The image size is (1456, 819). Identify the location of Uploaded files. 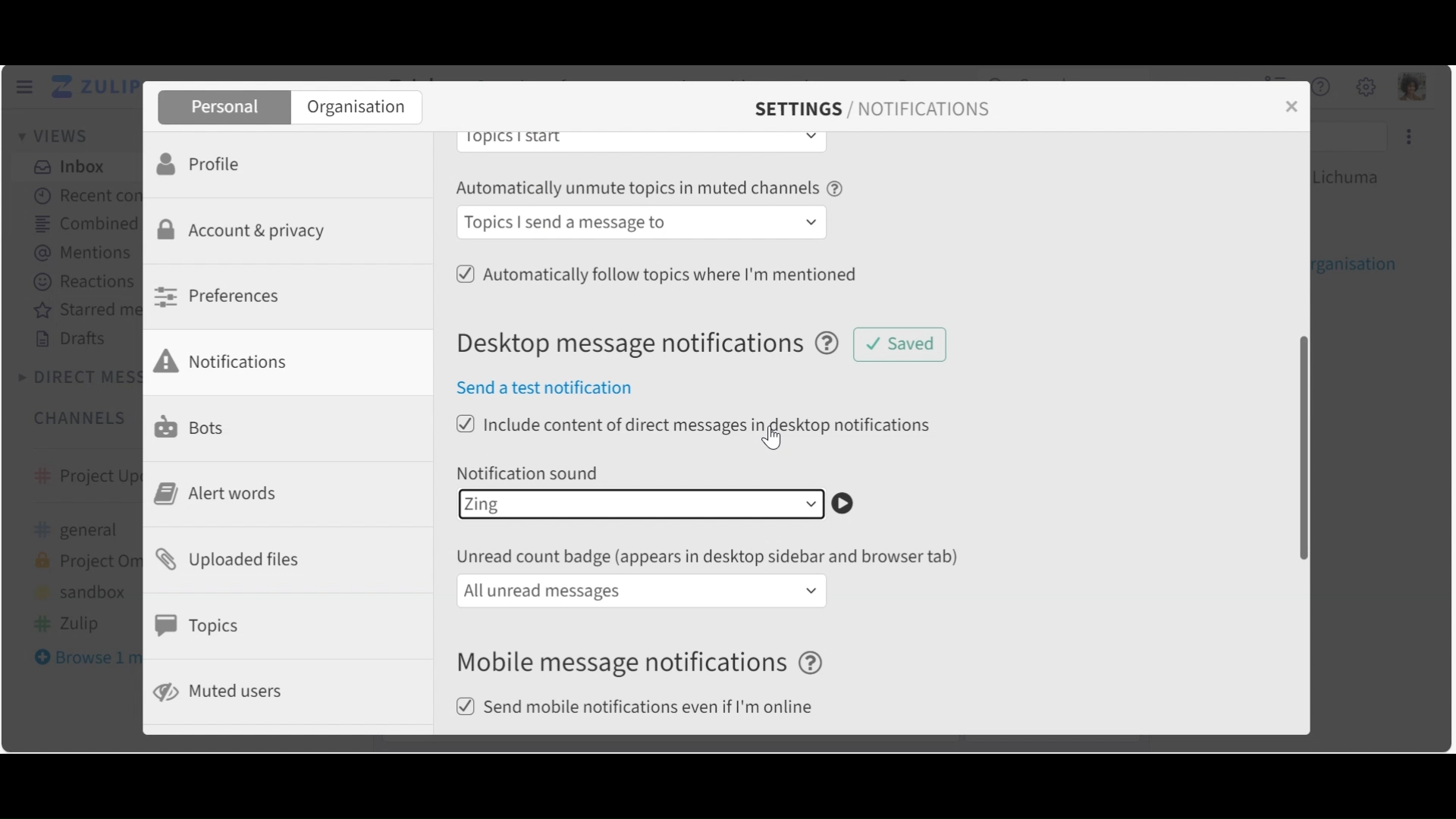
(235, 558).